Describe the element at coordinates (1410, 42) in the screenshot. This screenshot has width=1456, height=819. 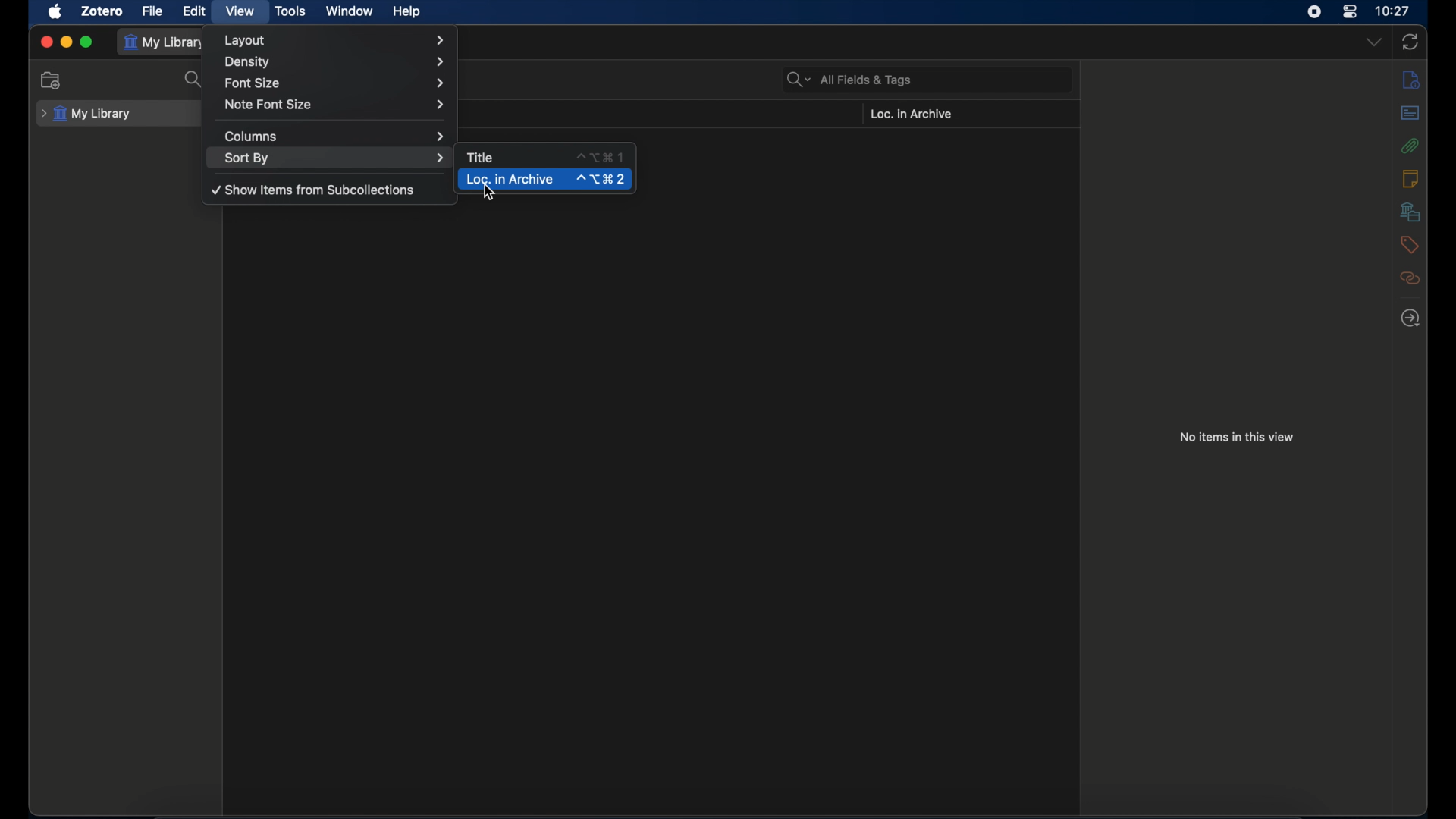
I see `sync` at that location.